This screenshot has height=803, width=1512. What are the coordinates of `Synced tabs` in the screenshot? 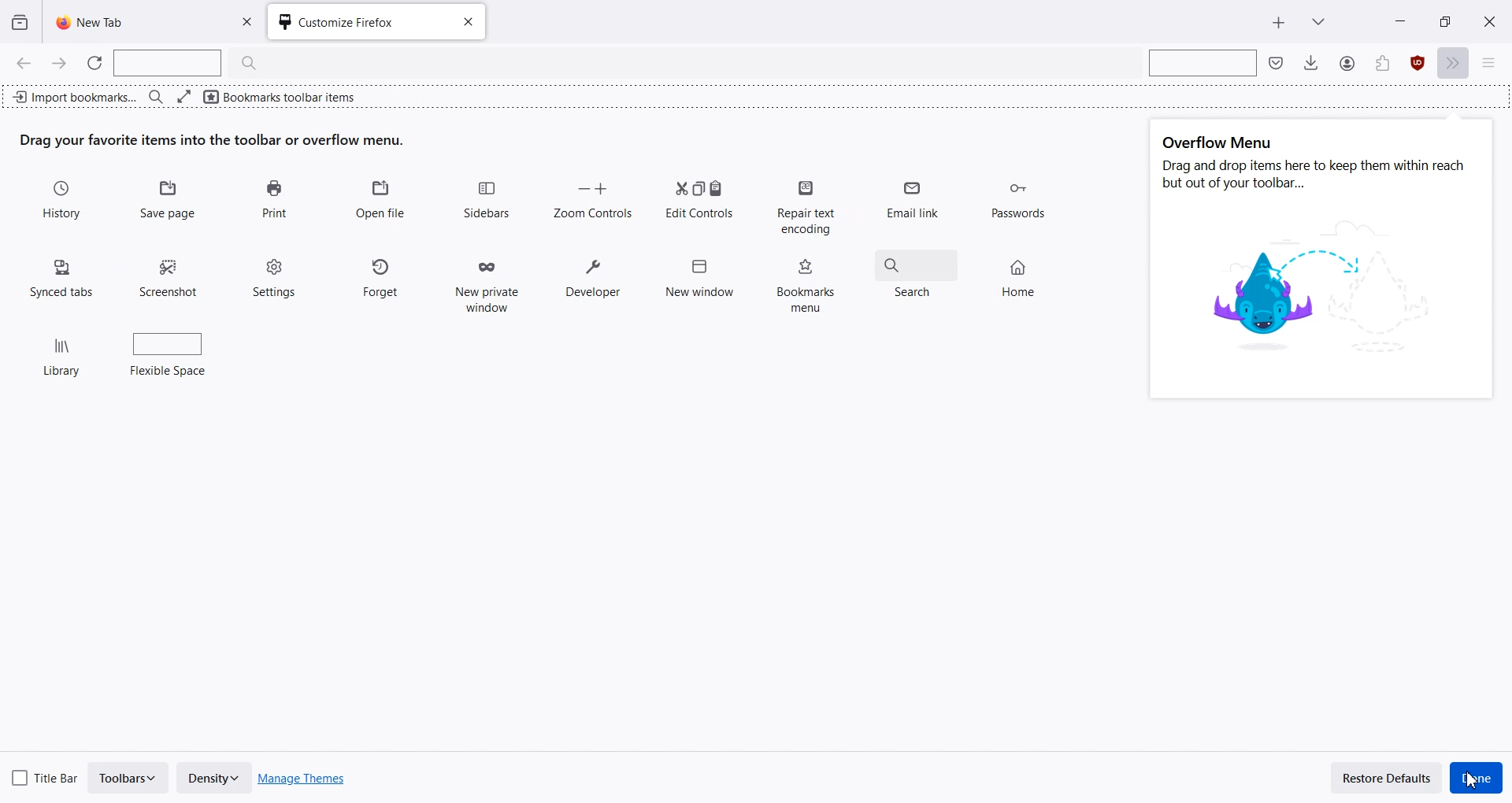 It's located at (62, 276).